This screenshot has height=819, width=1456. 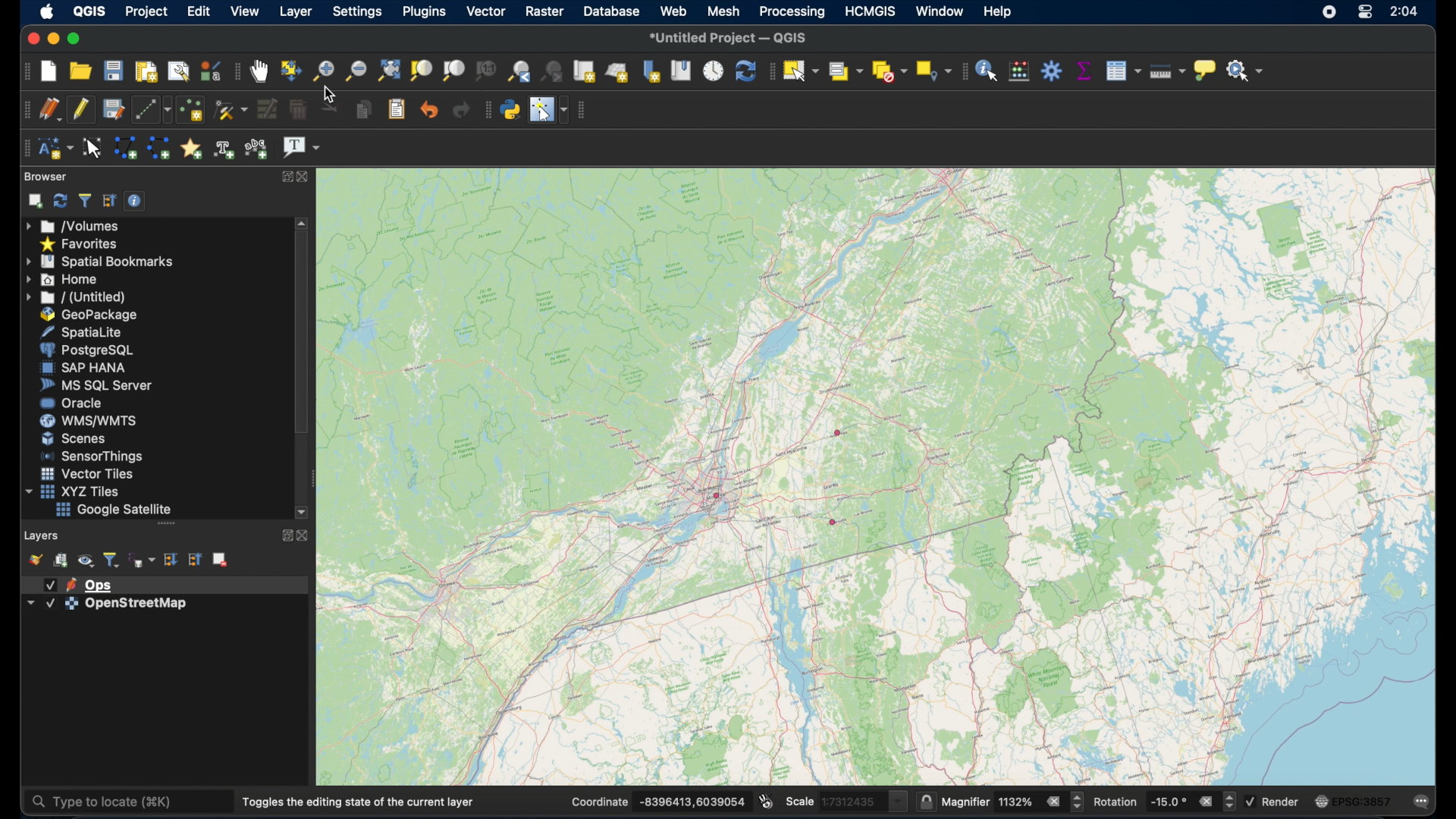 I want to click on expand all, so click(x=170, y=559).